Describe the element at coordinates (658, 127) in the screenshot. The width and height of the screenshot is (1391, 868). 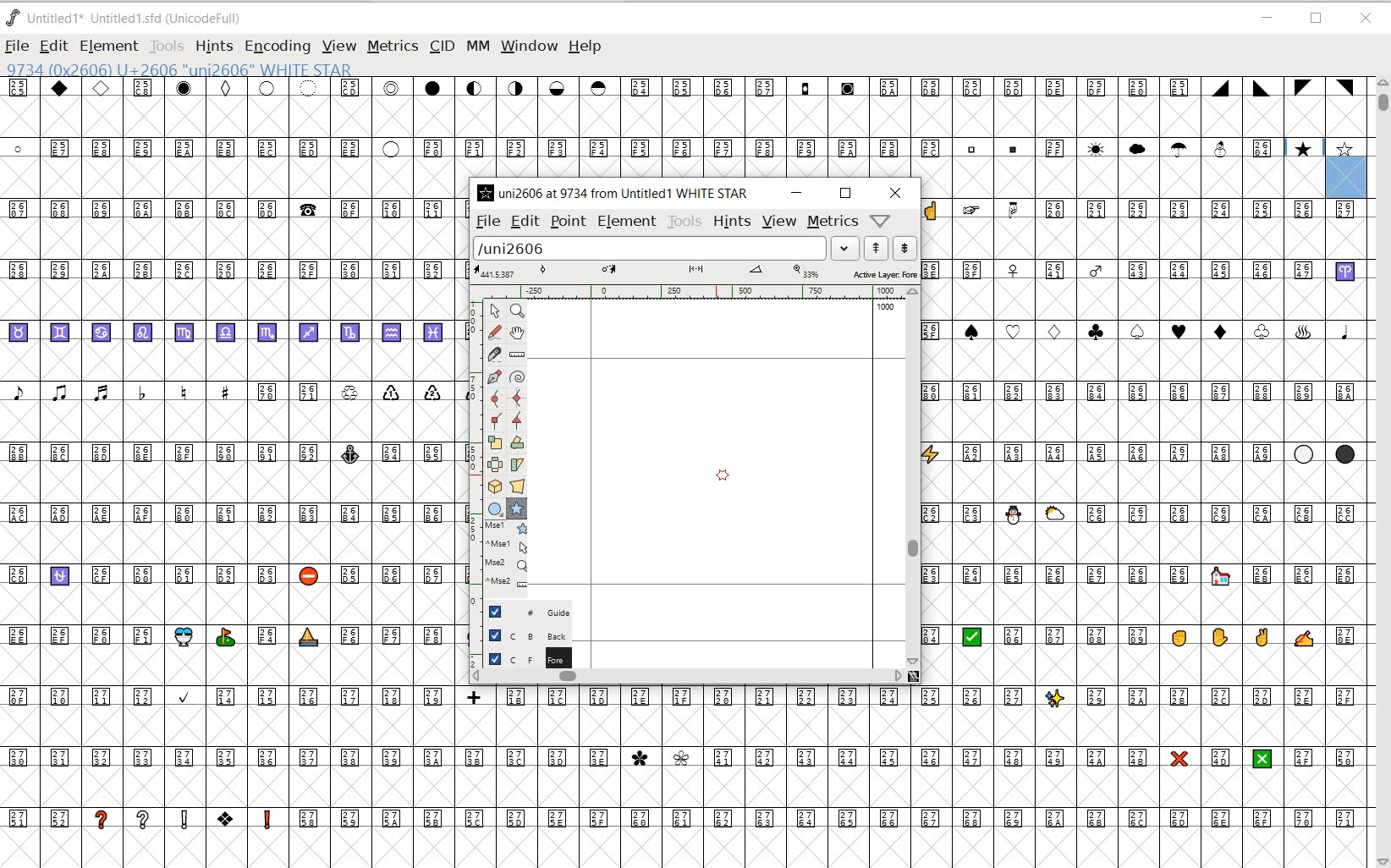
I see `GLYPHY CHARACTERS & NUMBERS` at that location.